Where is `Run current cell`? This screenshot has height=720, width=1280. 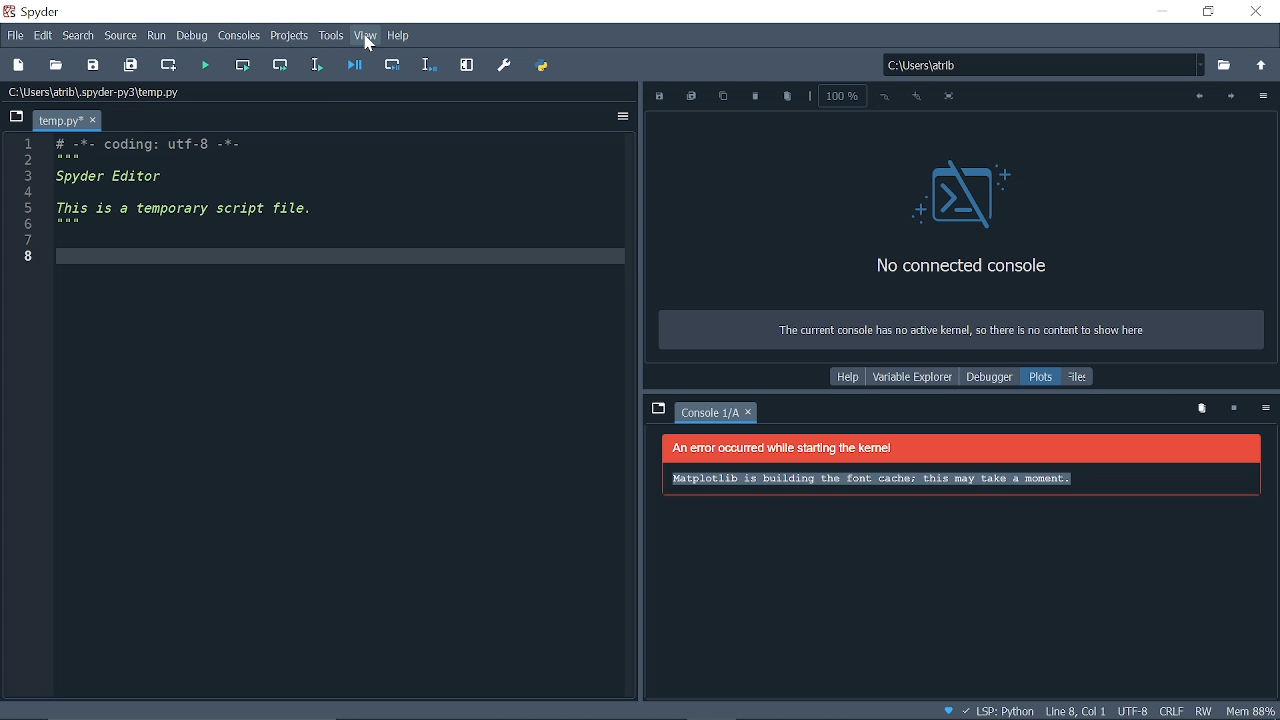
Run current cell is located at coordinates (246, 65).